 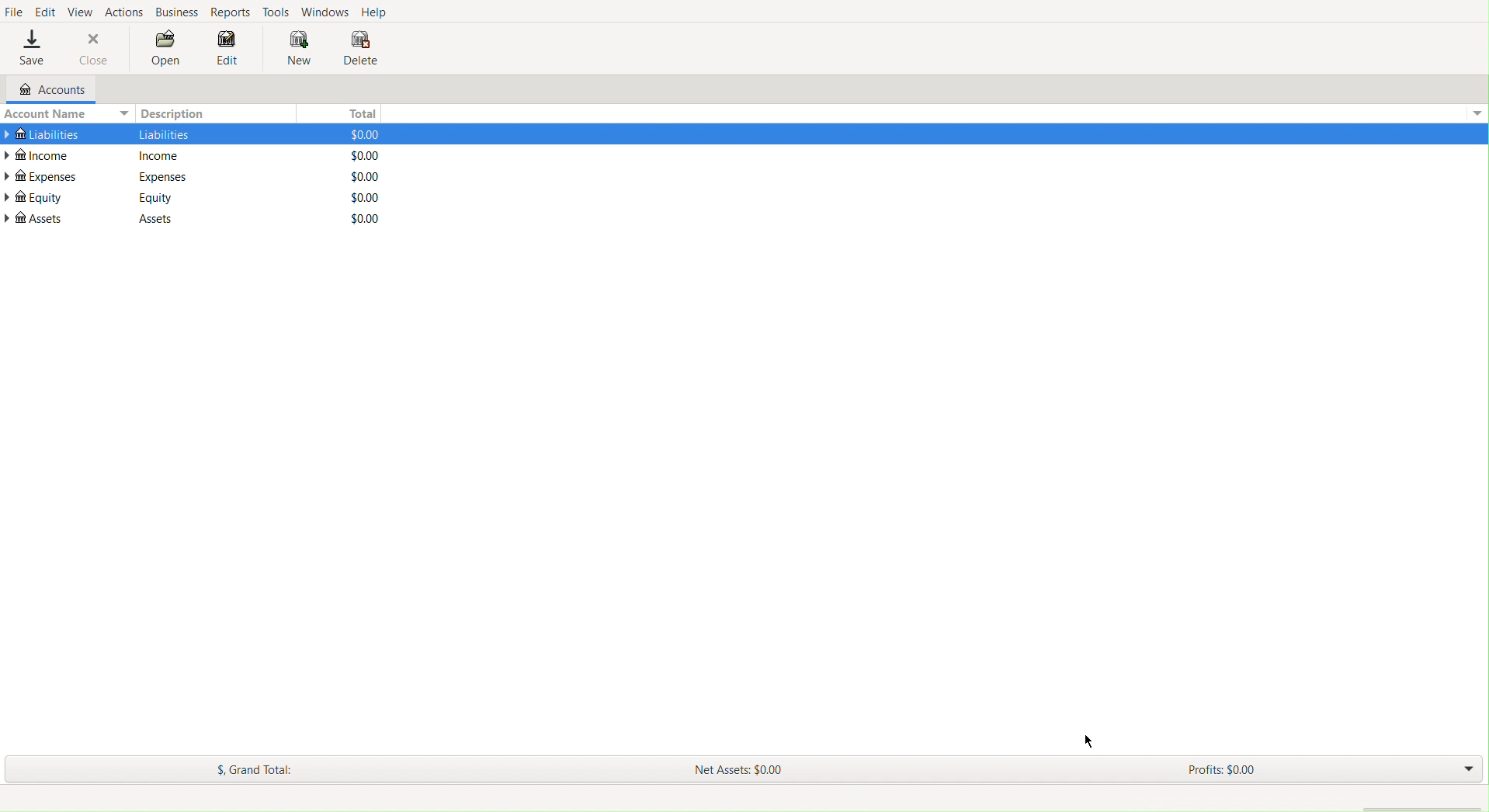 I want to click on Actions, so click(x=124, y=10).